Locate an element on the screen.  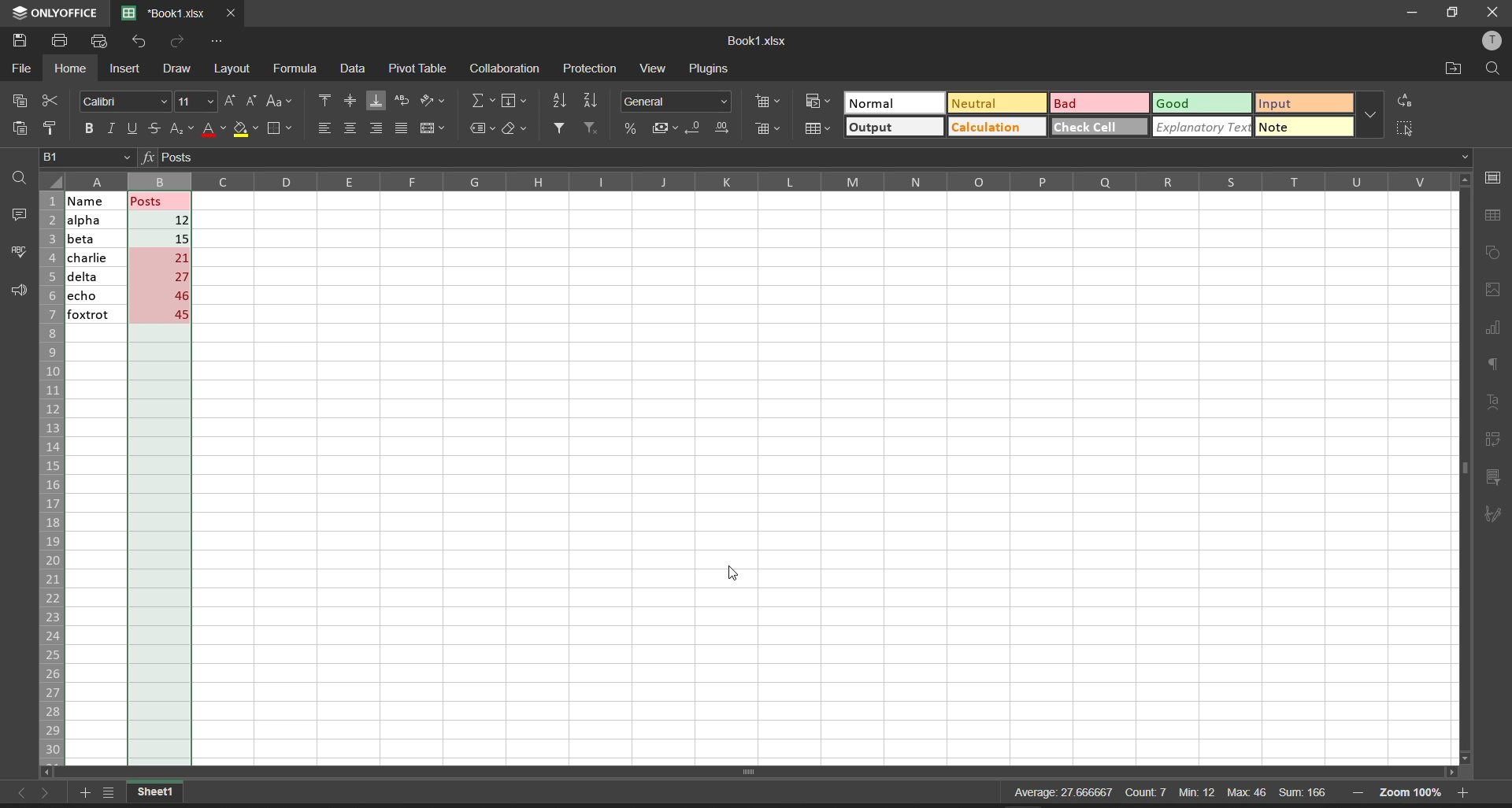
find is located at coordinates (1494, 68).